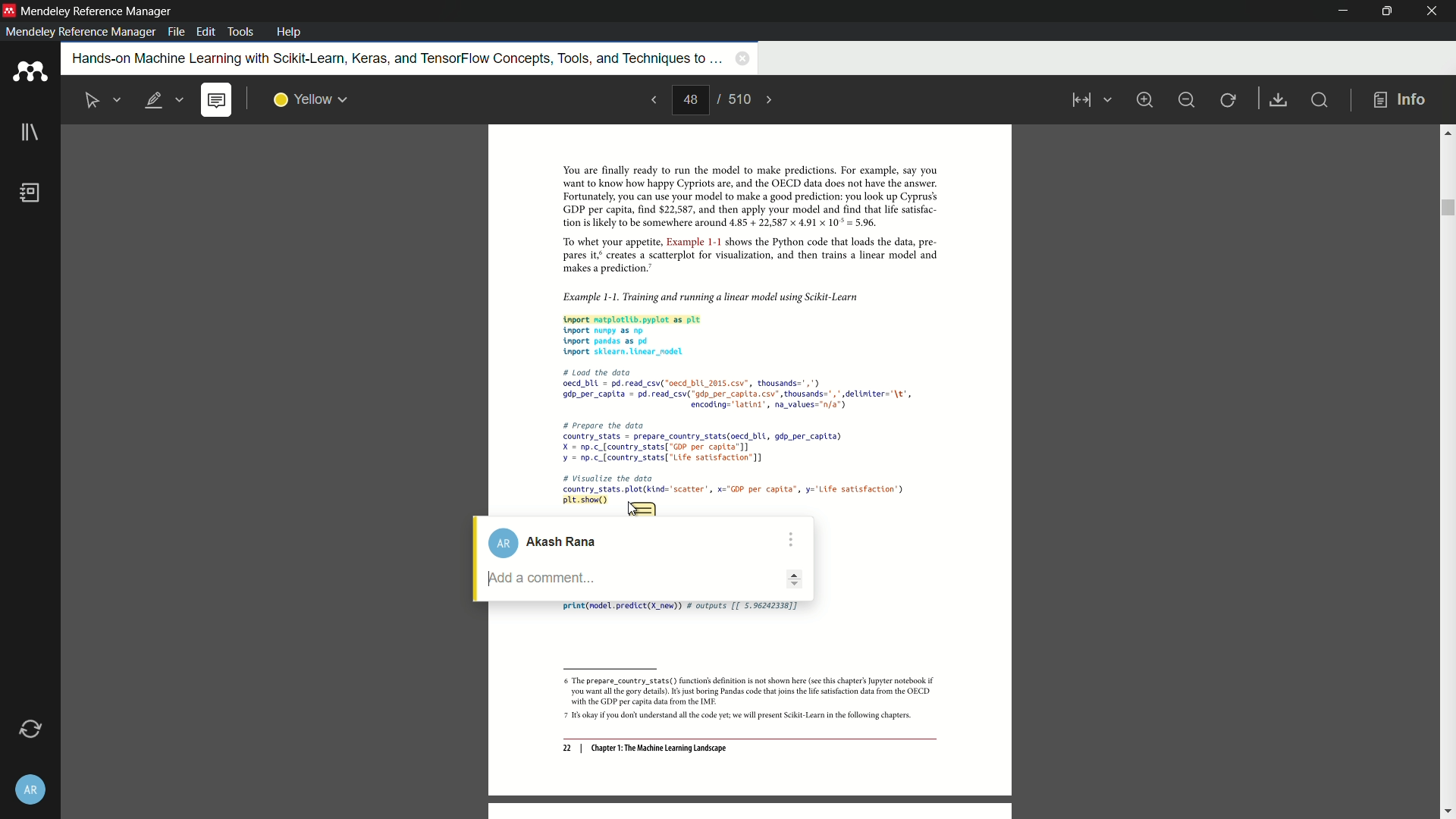  I want to click on profile name, so click(551, 543).